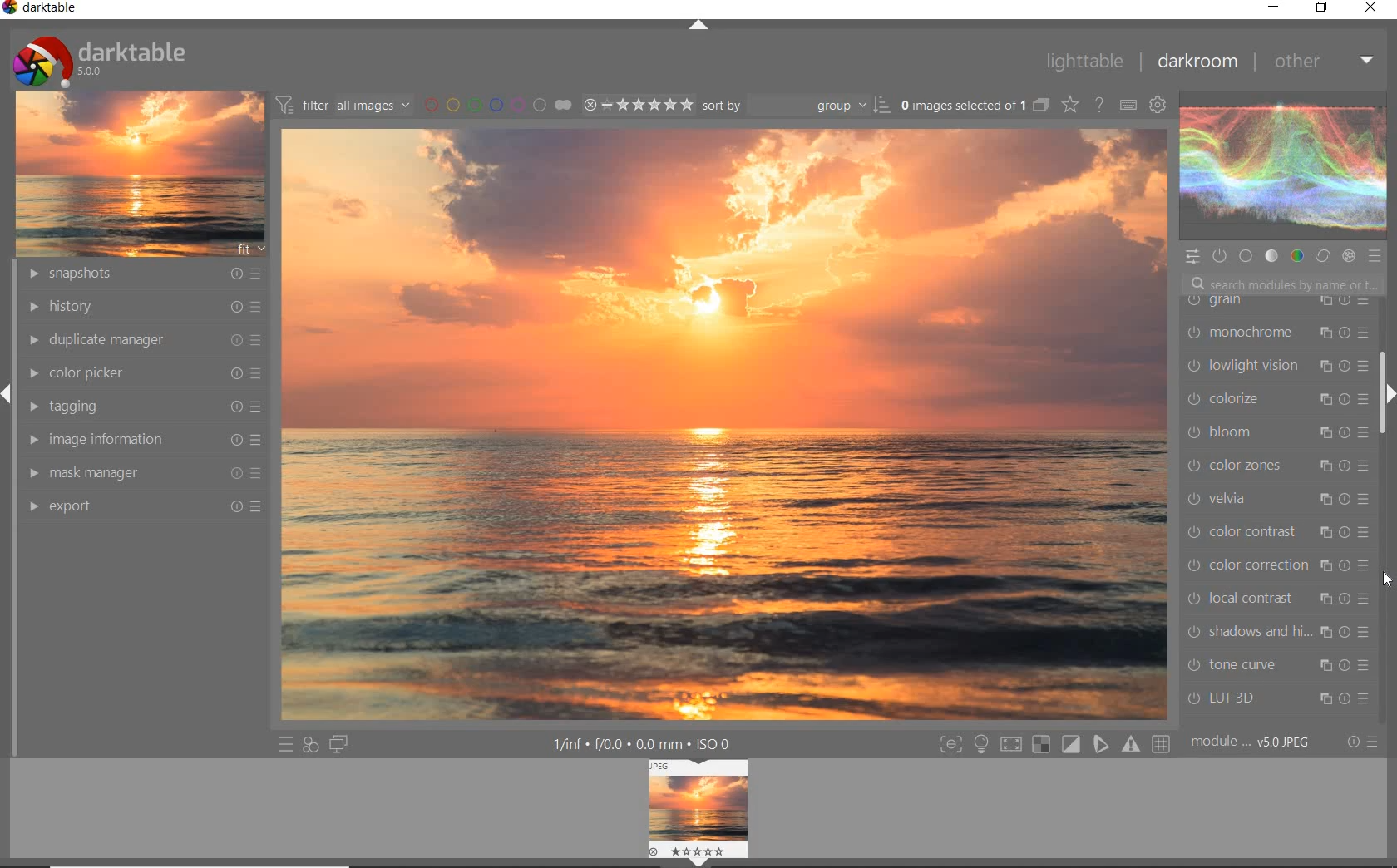 This screenshot has height=868, width=1397. I want to click on velvia, so click(1273, 501).